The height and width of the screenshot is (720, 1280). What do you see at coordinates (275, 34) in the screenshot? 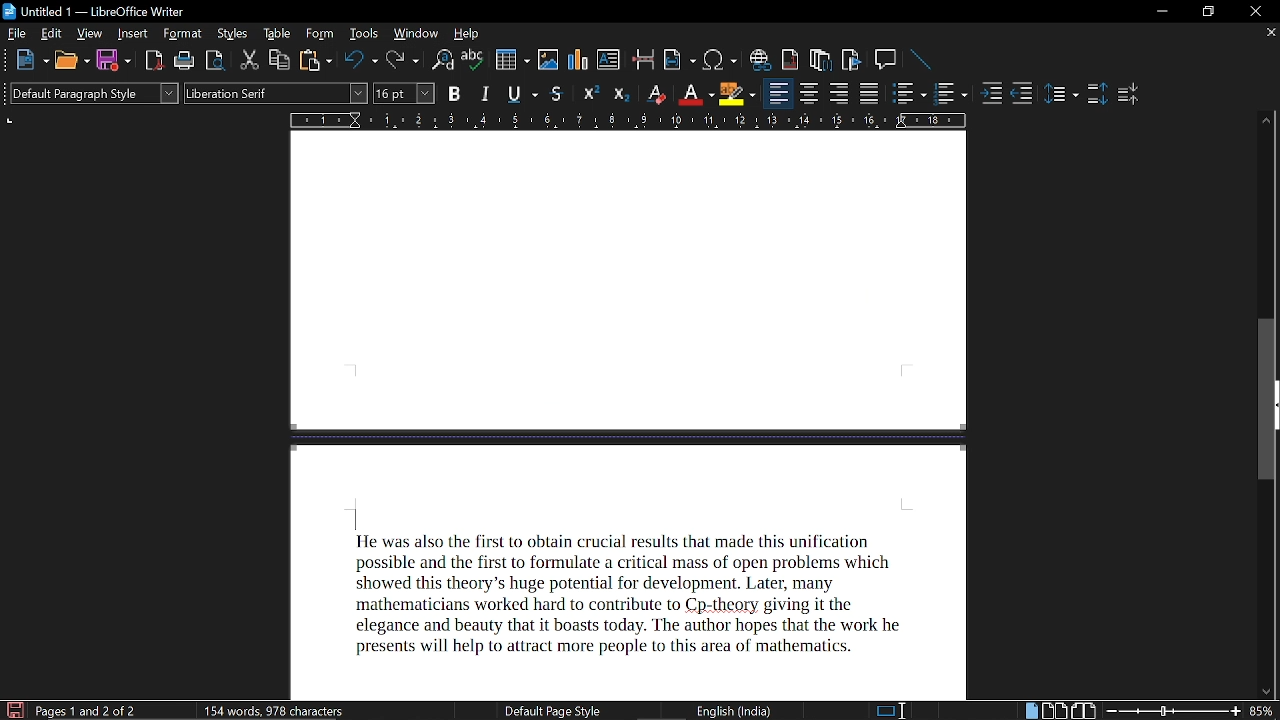
I see `Table` at bounding box center [275, 34].